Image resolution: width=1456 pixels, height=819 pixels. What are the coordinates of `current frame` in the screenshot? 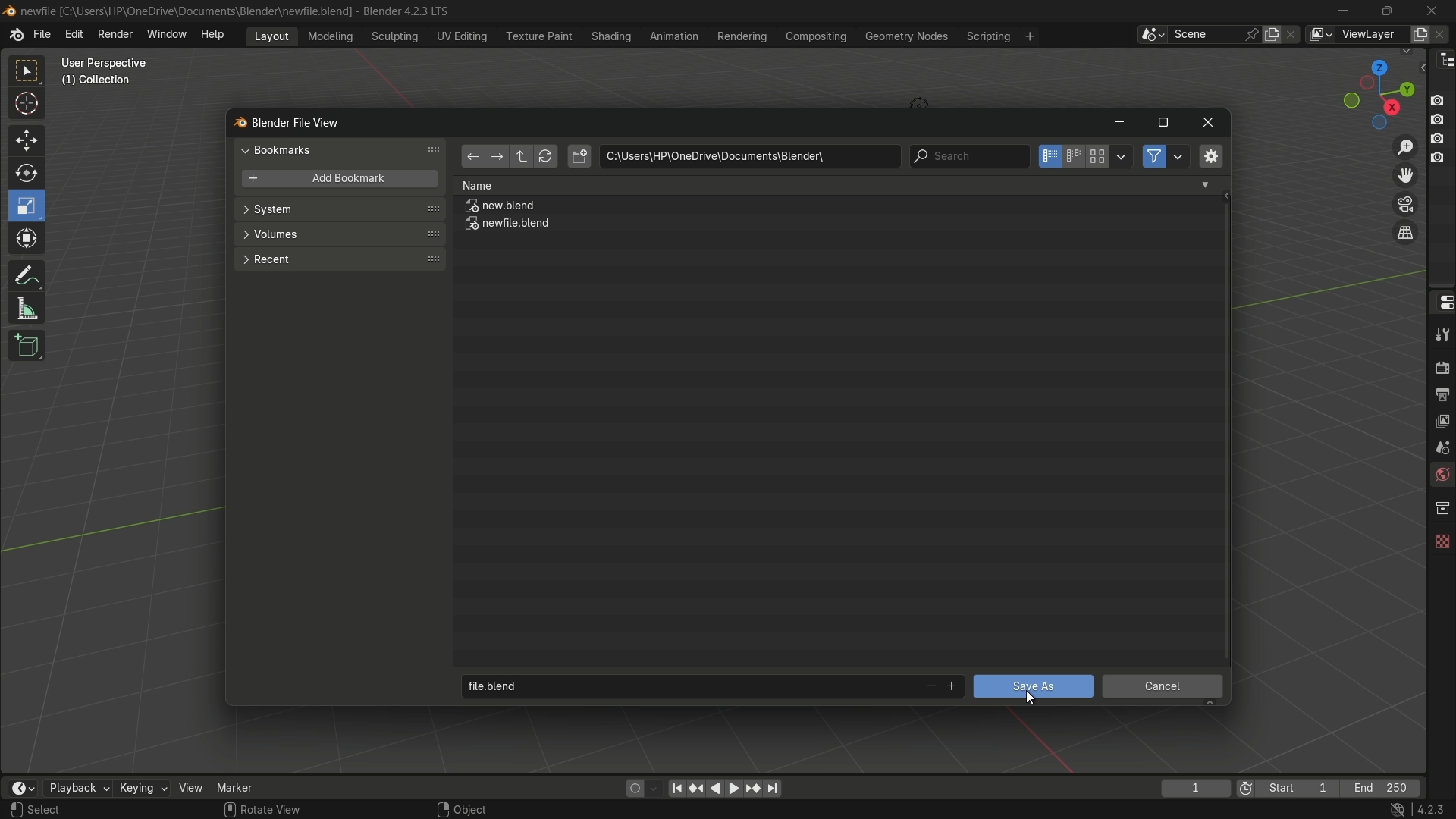 It's located at (1194, 788).